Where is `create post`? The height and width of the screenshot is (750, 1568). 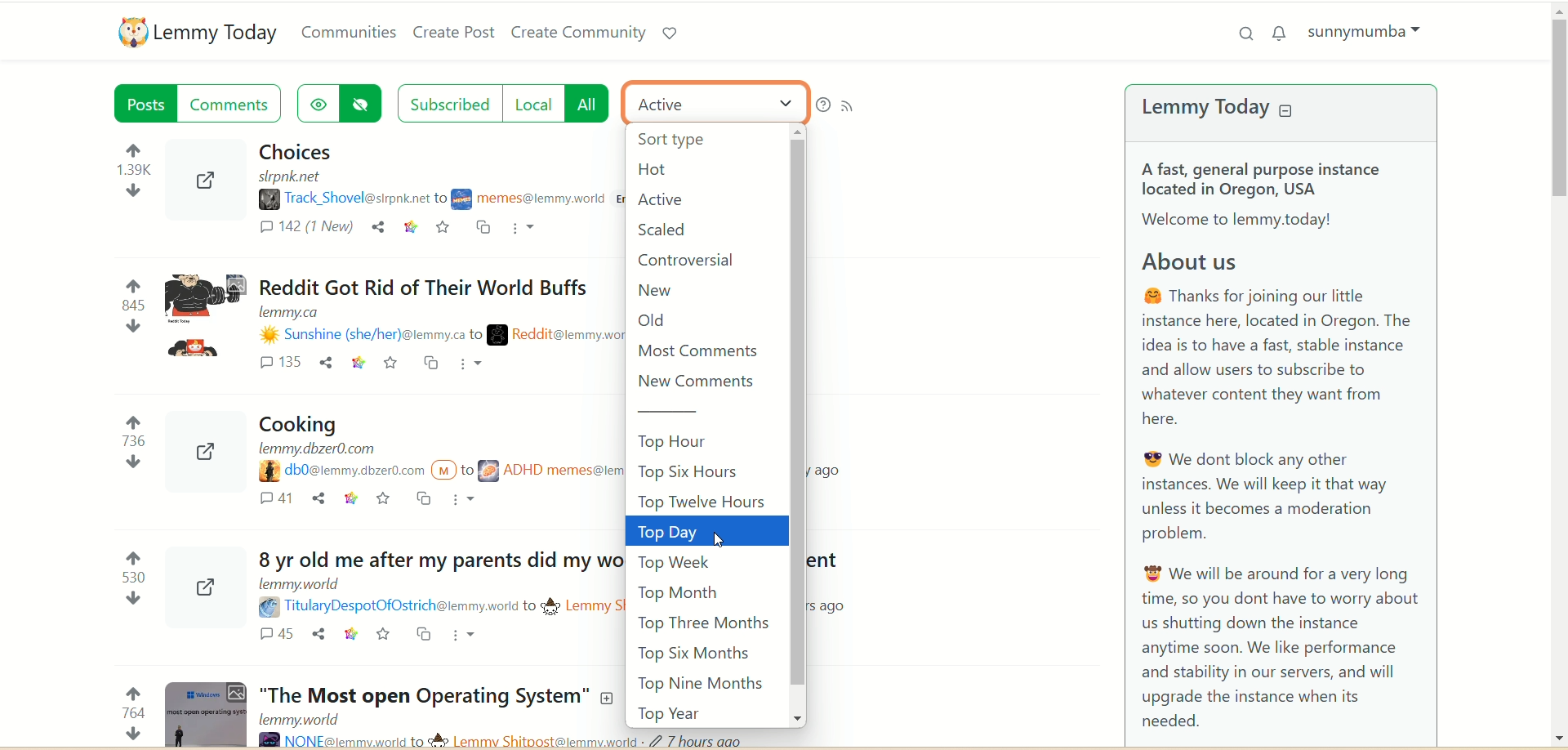 create post is located at coordinates (453, 34).